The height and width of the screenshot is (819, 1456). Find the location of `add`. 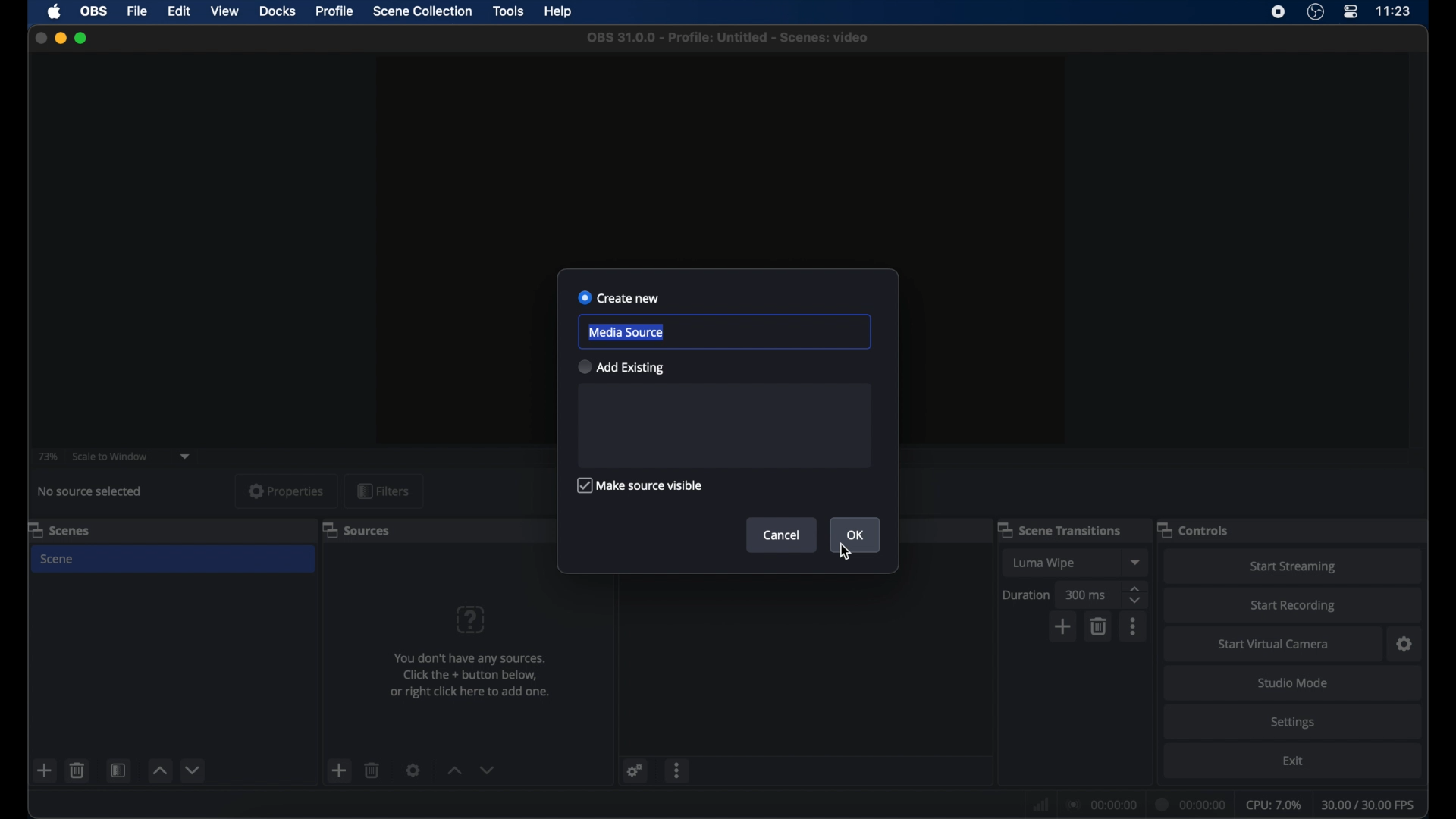

add is located at coordinates (338, 770).